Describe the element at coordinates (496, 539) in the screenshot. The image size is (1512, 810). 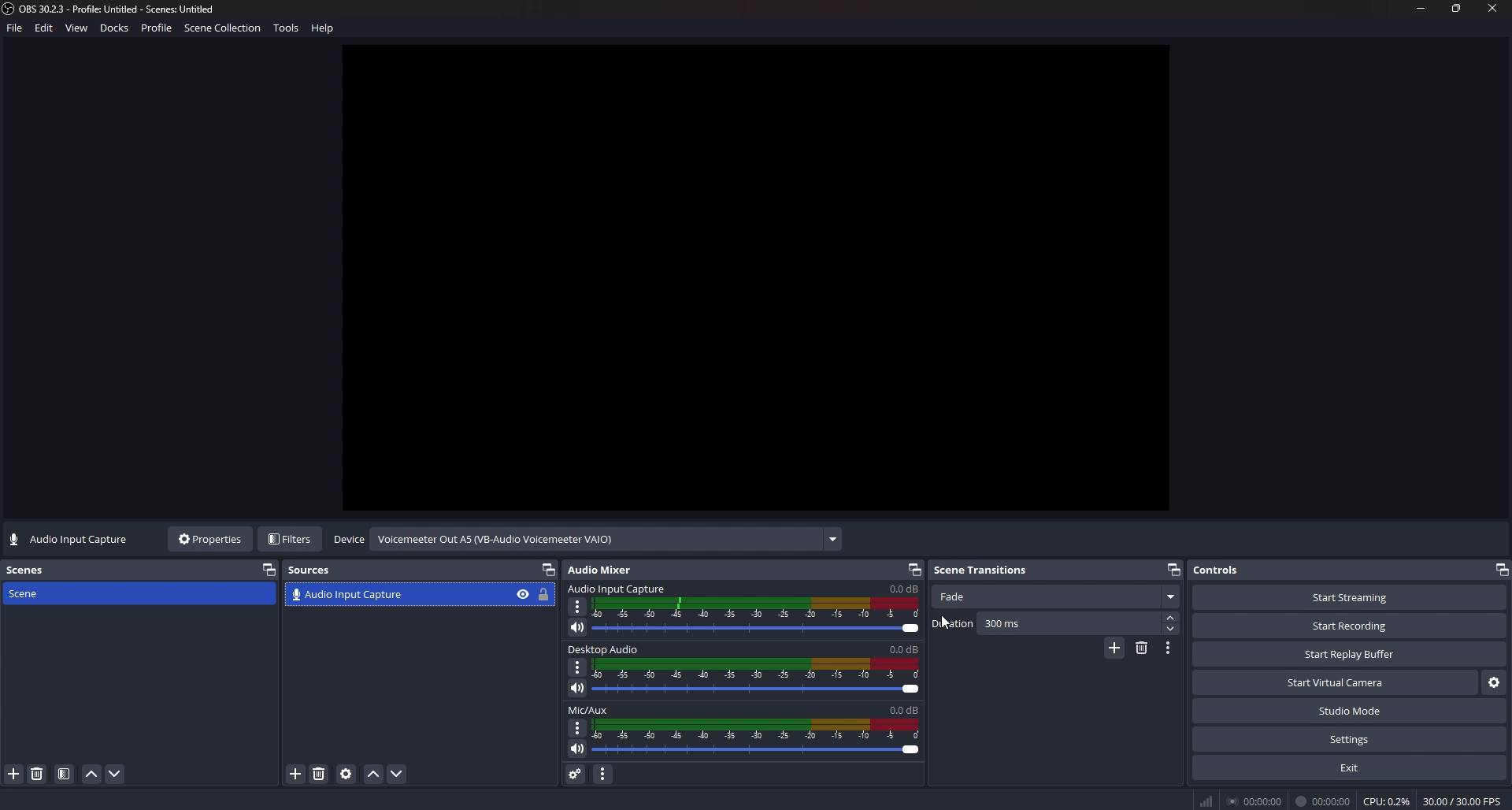
I see `` at that location.